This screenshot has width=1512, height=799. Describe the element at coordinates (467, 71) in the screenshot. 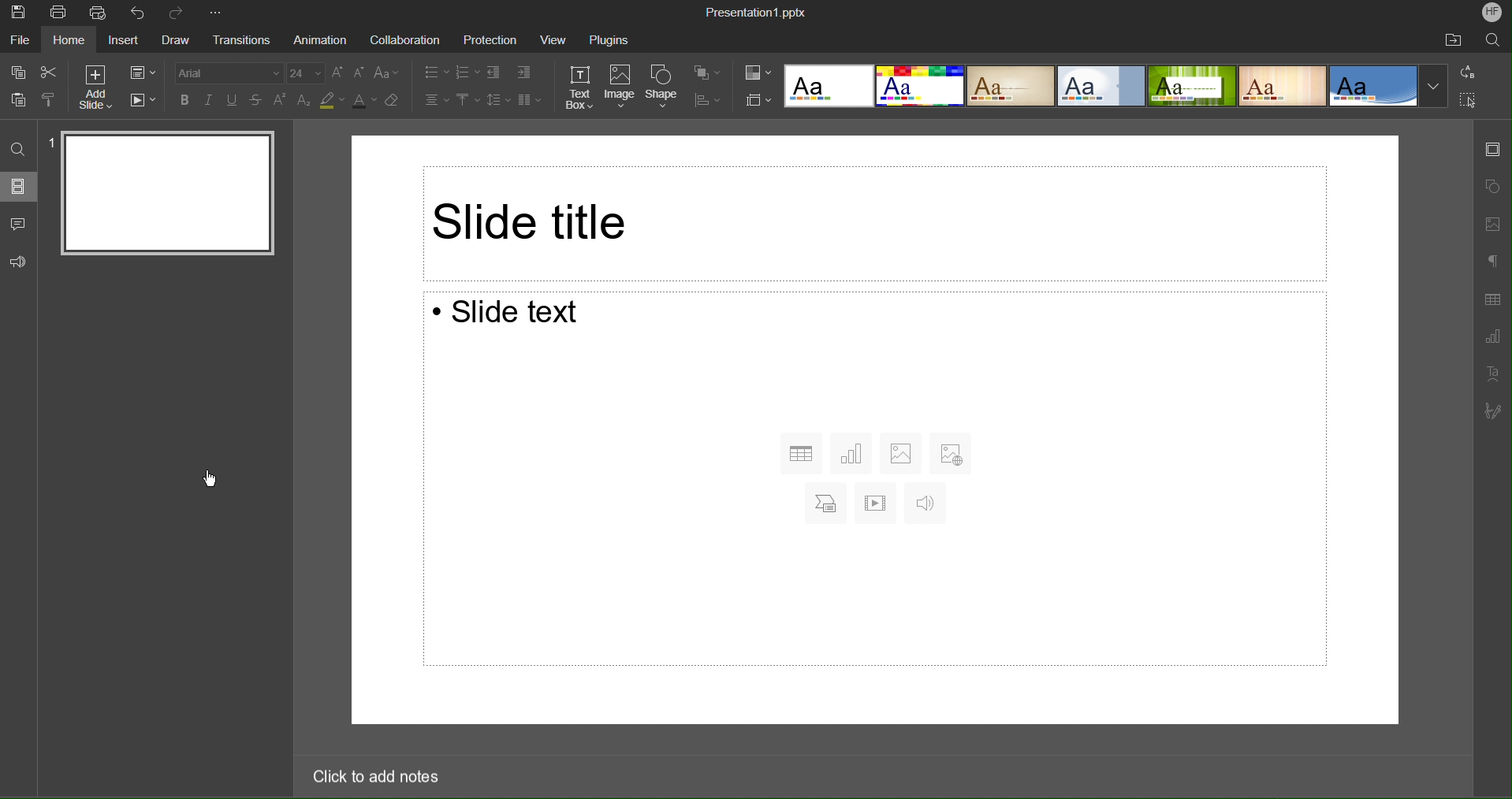

I see `Numbered List` at that location.